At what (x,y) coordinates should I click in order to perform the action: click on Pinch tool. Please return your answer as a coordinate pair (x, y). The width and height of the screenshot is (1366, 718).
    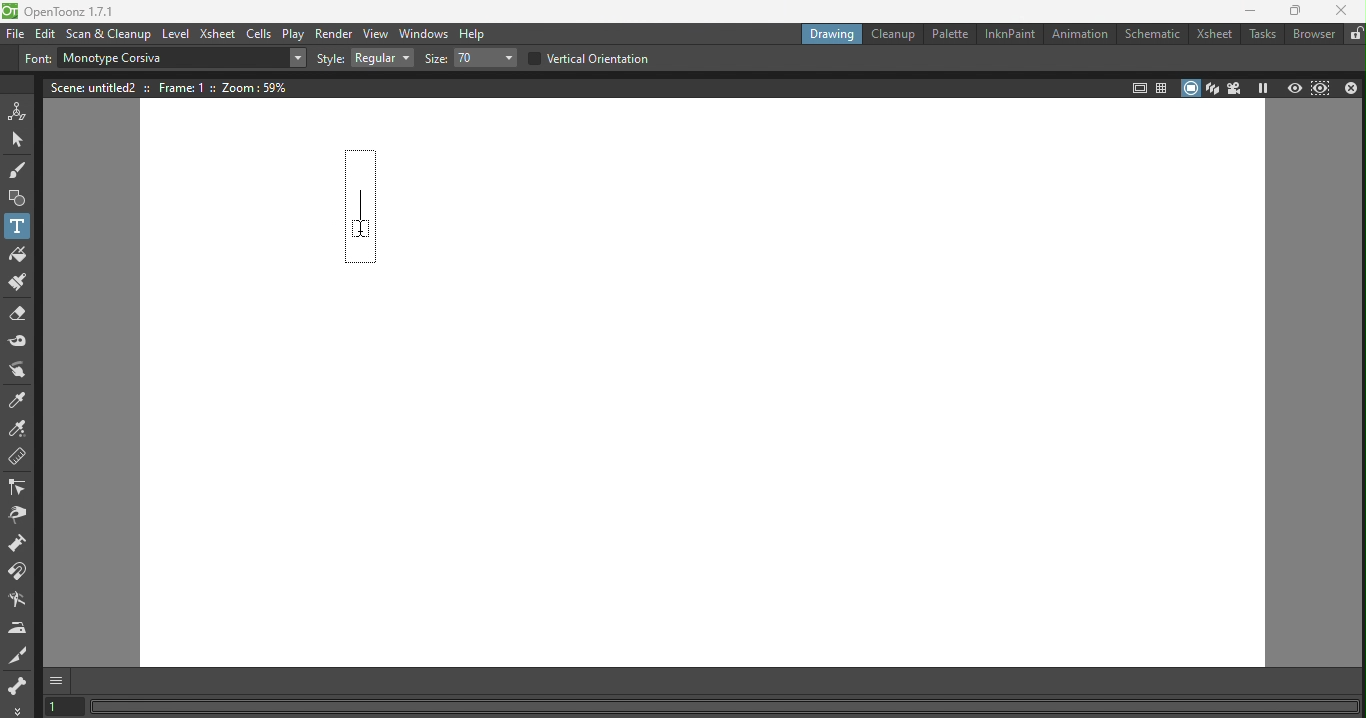
    Looking at the image, I should click on (18, 519).